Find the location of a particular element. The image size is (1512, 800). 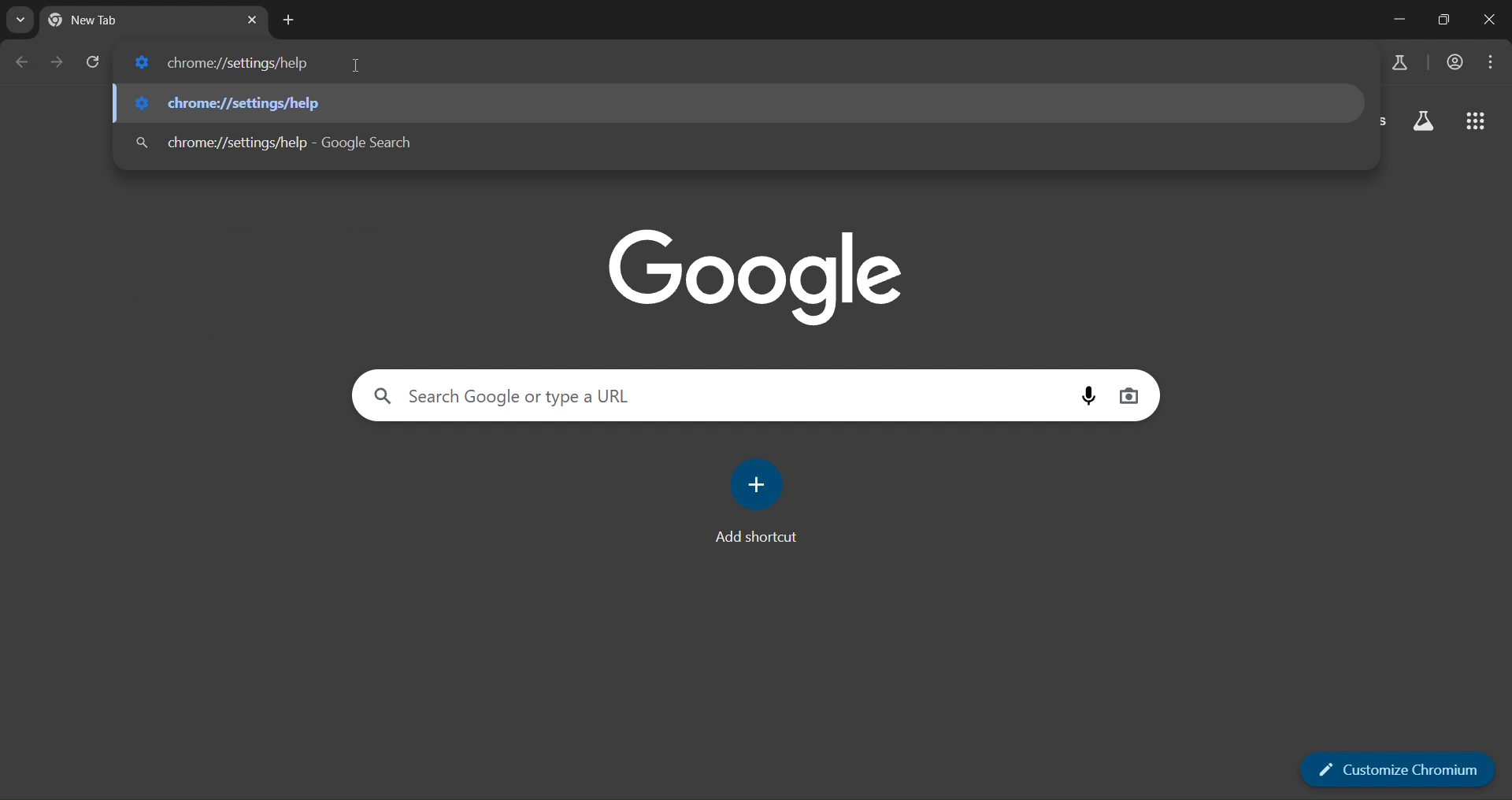

search labs is located at coordinates (20, 22).